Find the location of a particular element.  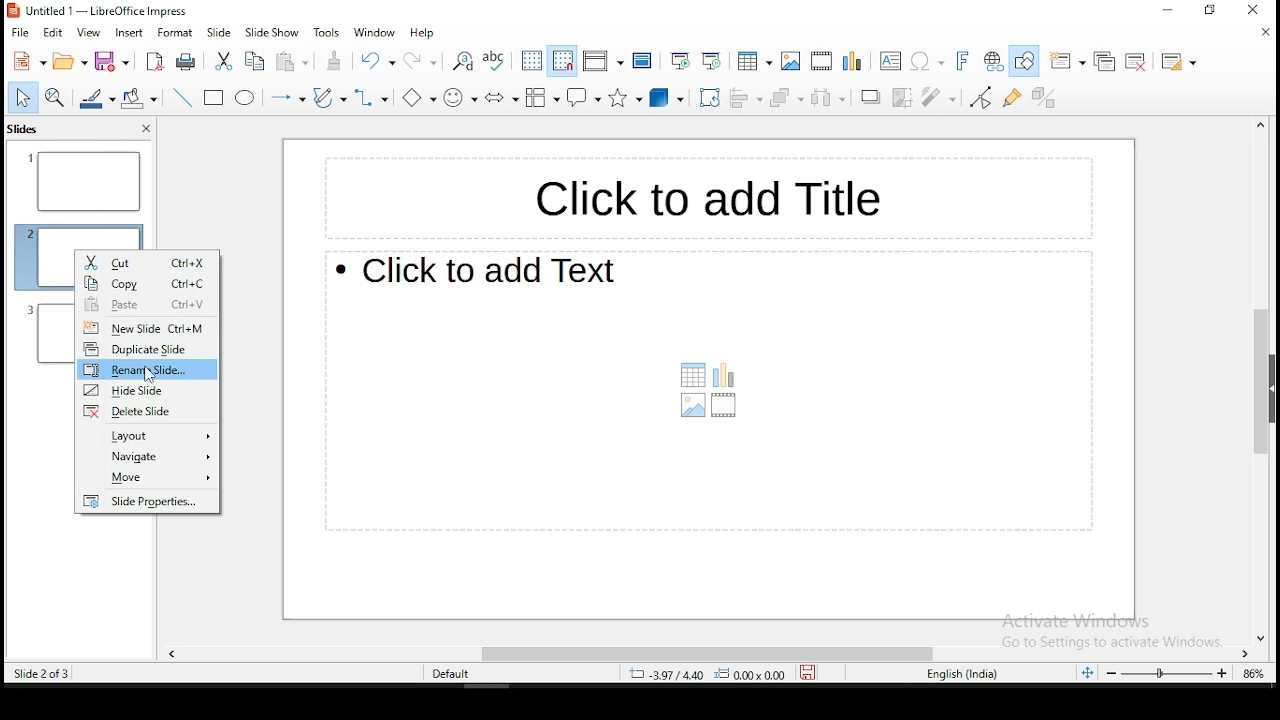

close pane is located at coordinates (145, 129).